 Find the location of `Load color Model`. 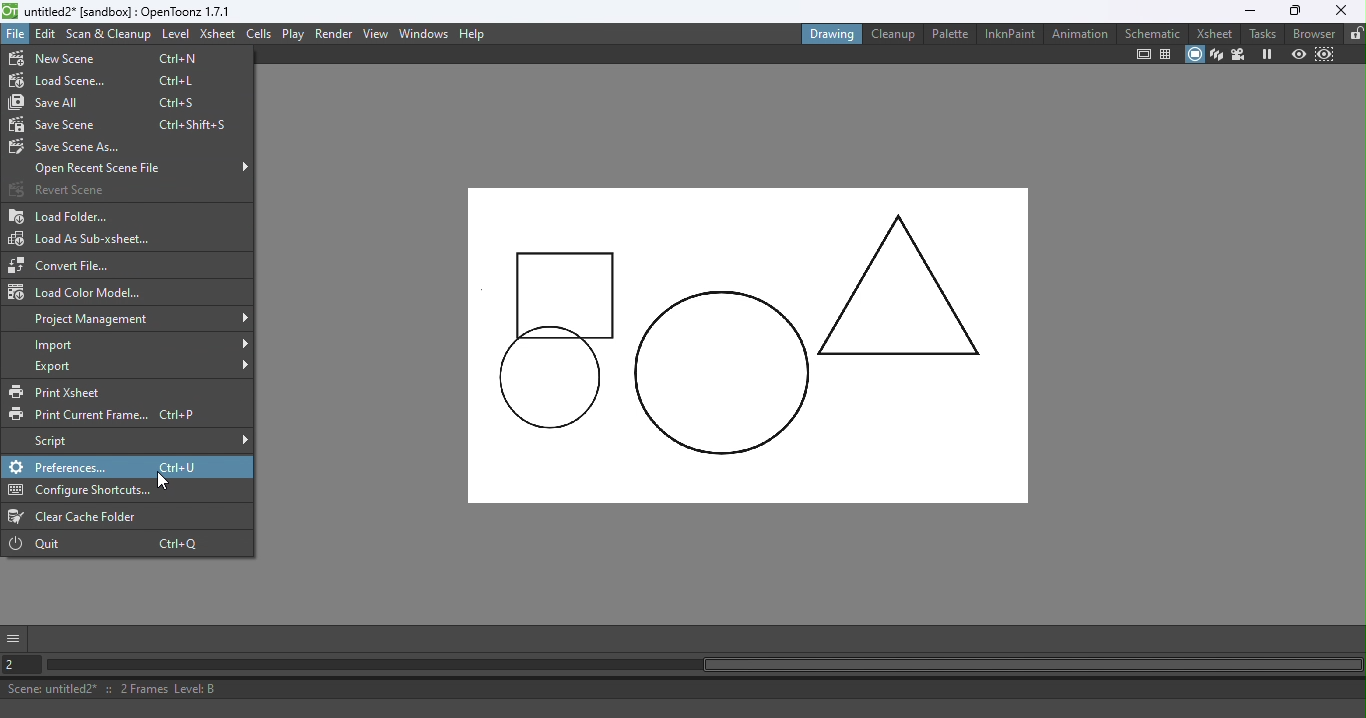

Load color Model is located at coordinates (88, 291).